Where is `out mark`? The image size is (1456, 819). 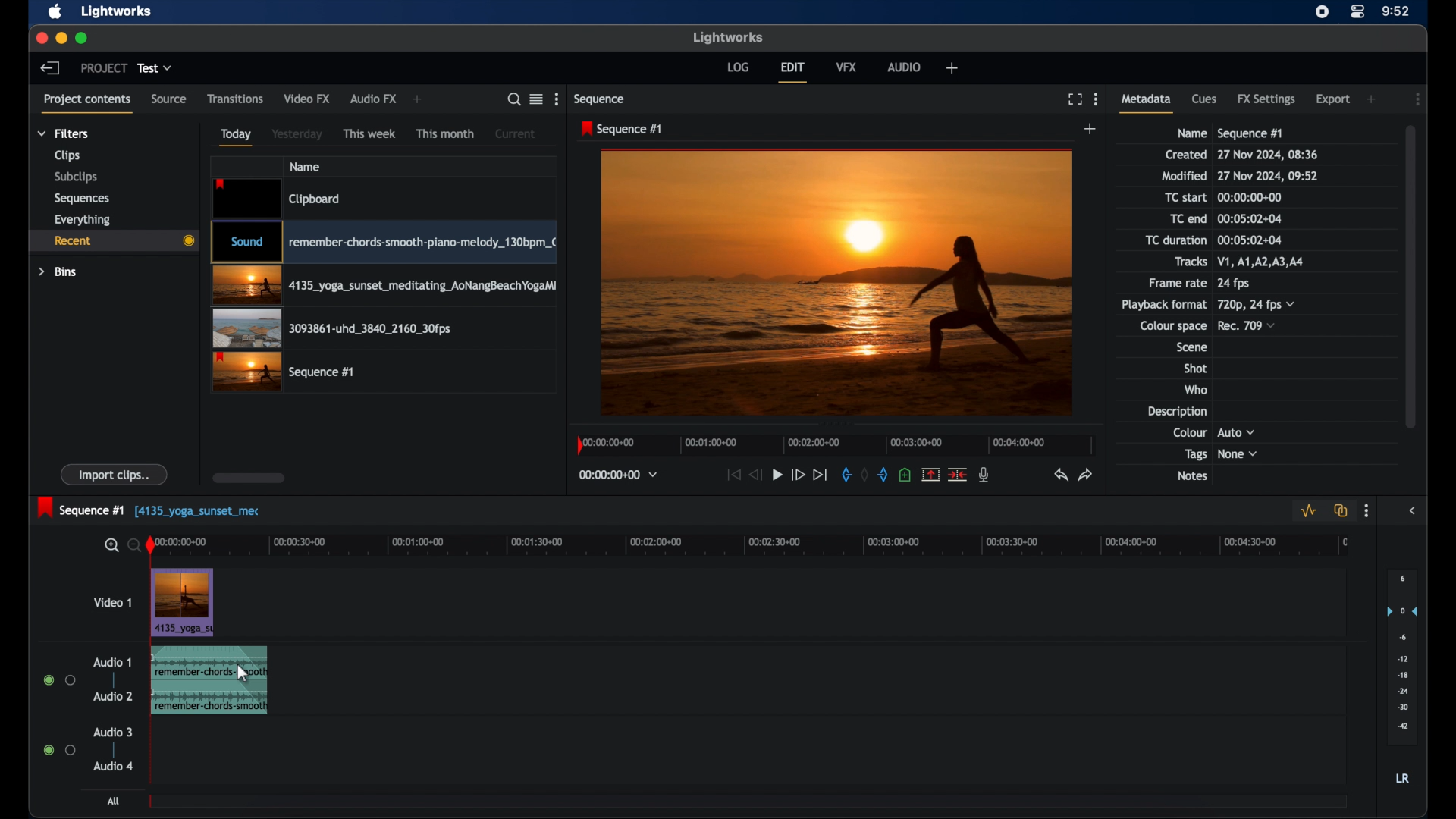 out mark is located at coordinates (883, 474).